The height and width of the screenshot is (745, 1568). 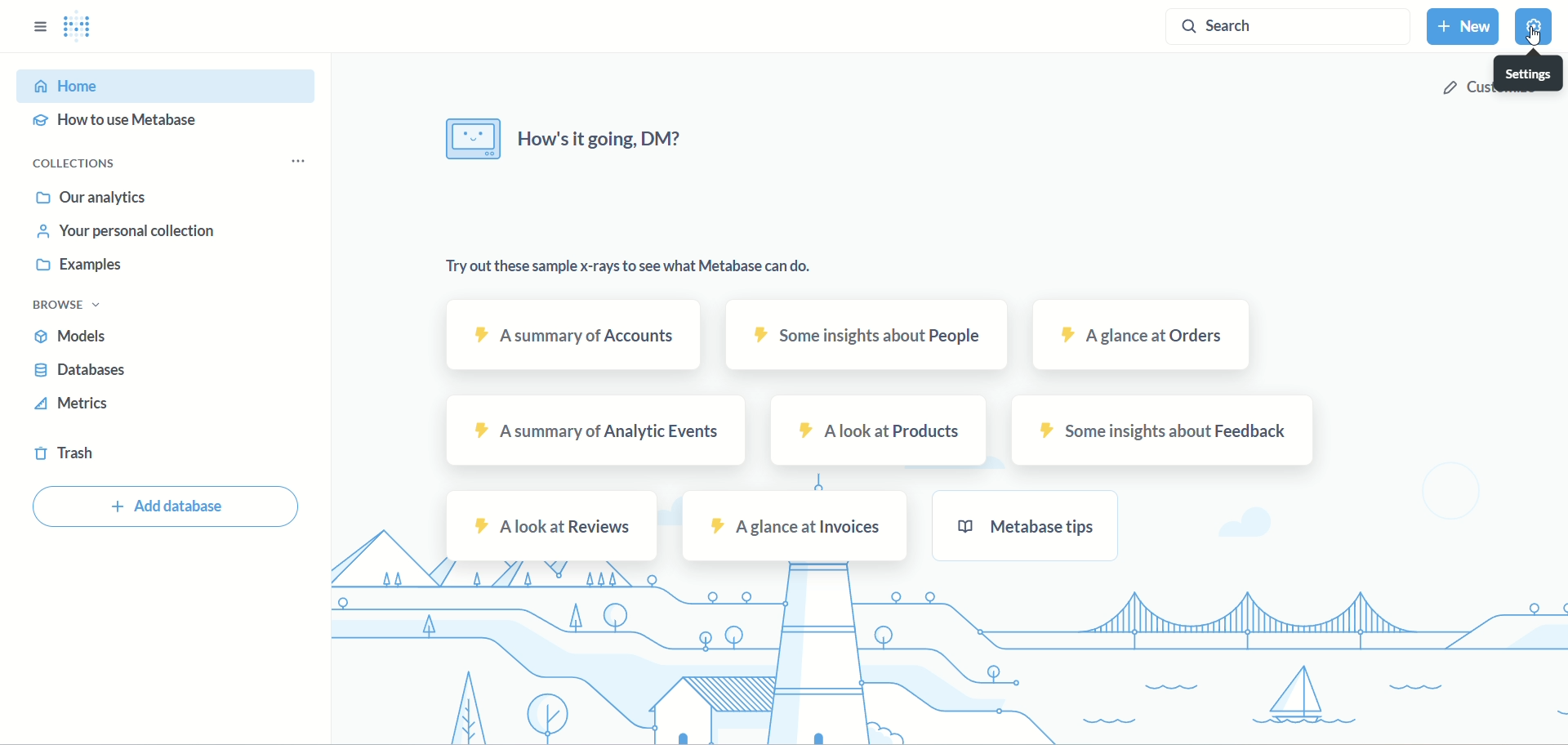 What do you see at coordinates (1529, 73) in the screenshot?
I see `settings` at bounding box center [1529, 73].